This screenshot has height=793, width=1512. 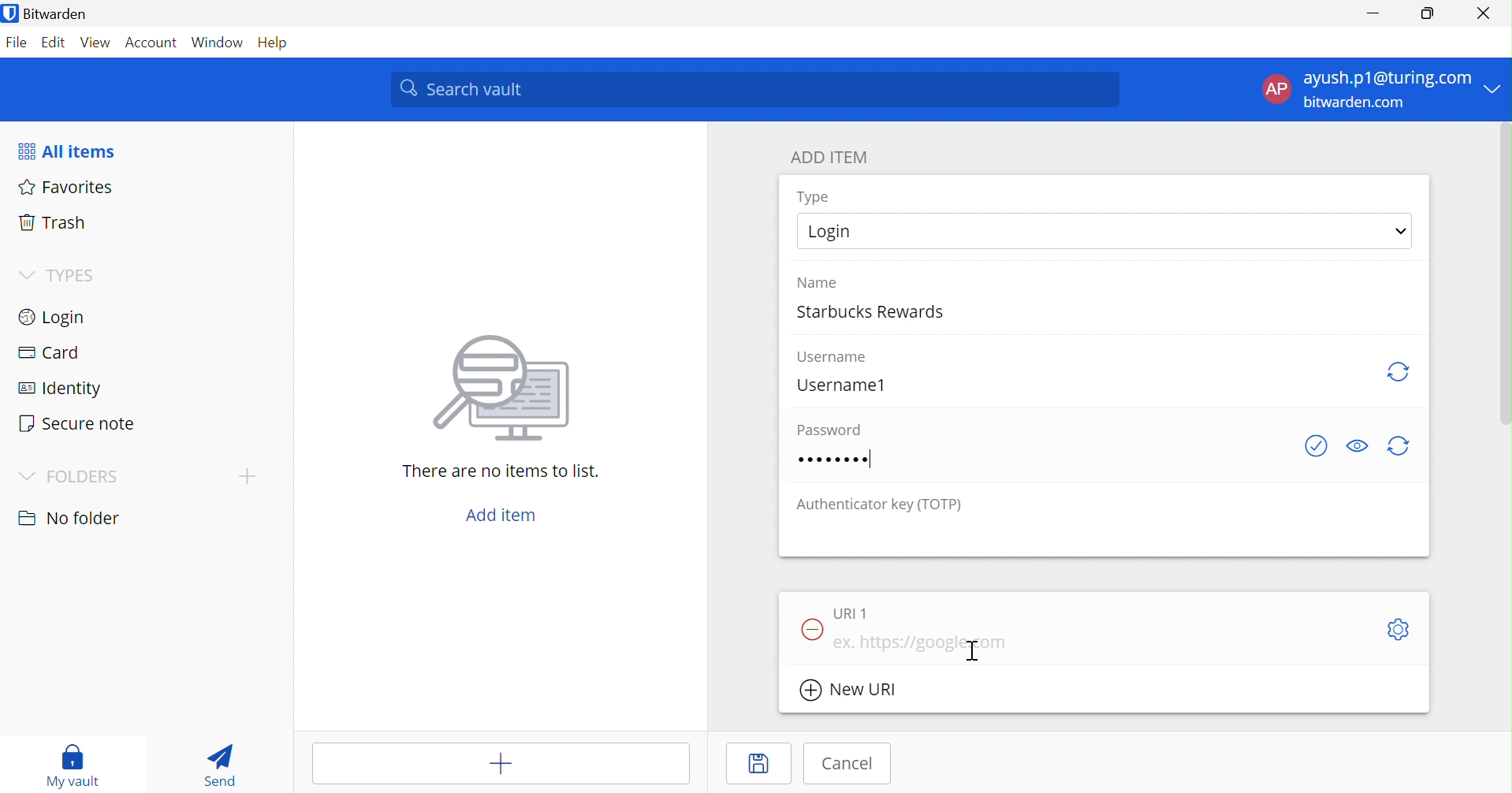 What do you see at coordinates (876, 309) in the screenshot?
I see `Starbucks Rewards` at bounding box center [876, 309].